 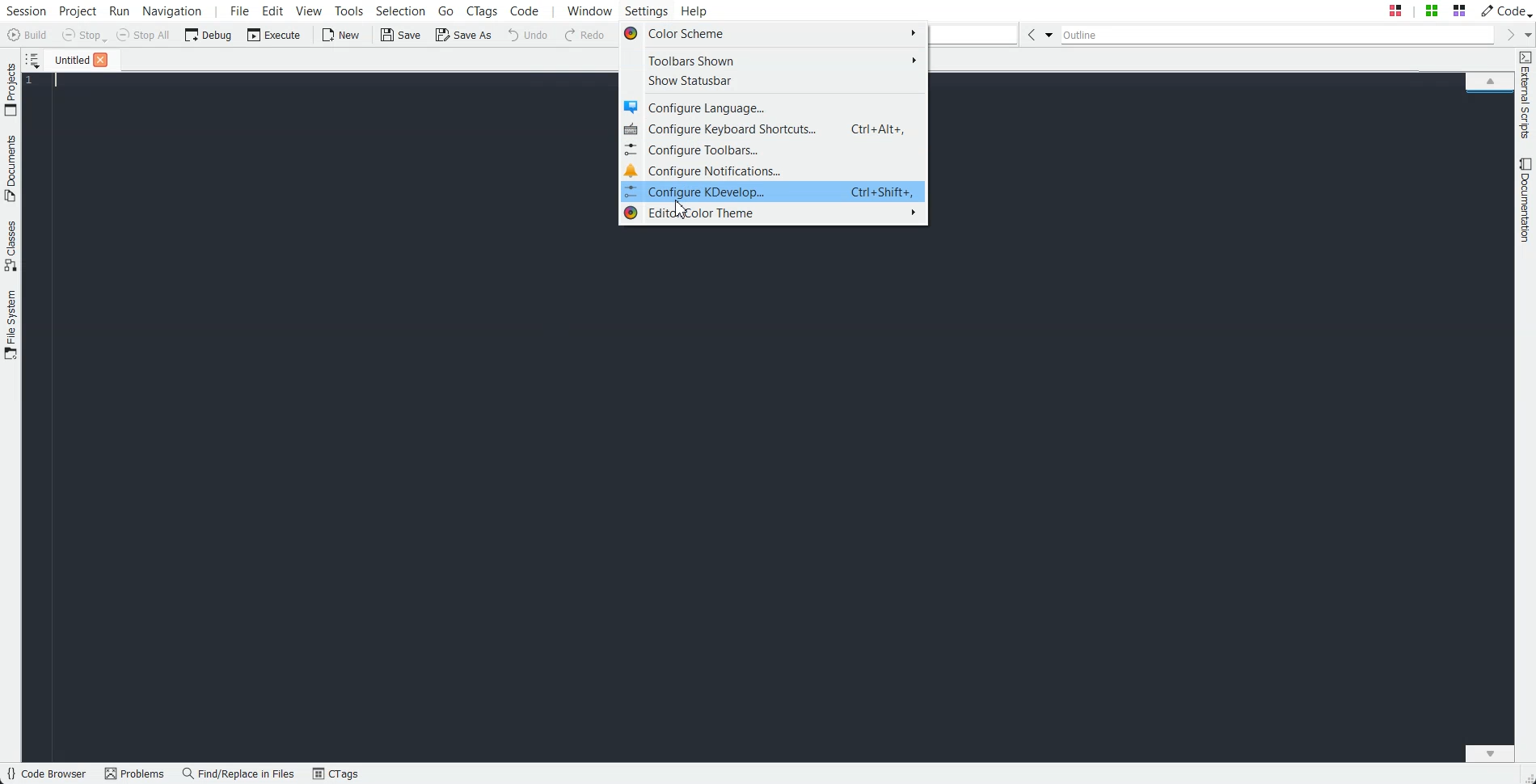 What do you see at coordinates (463, 34) in the screenshot?
I see `Save As` at bounding box center [463, 34].